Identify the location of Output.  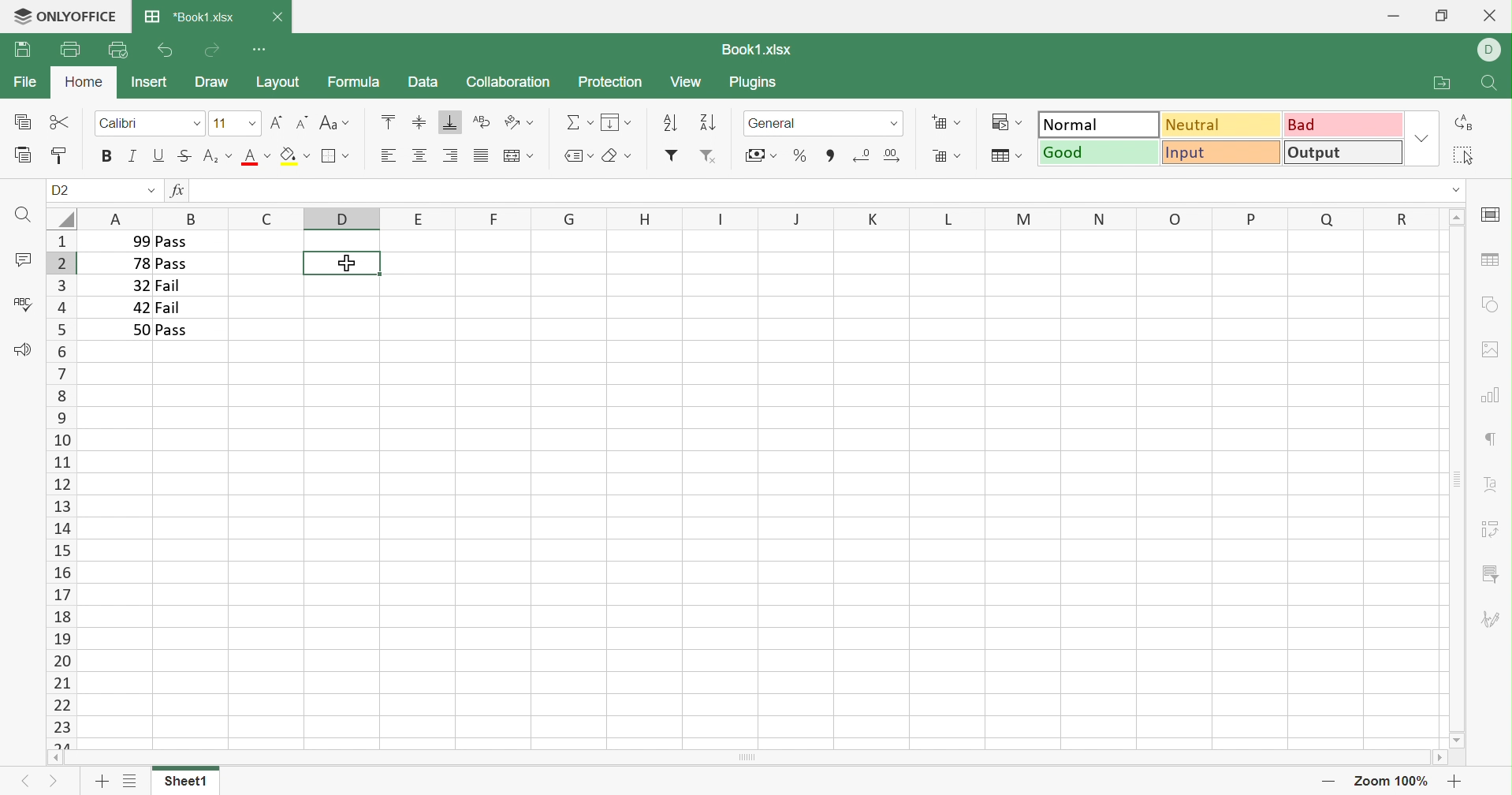
(1345, 151).